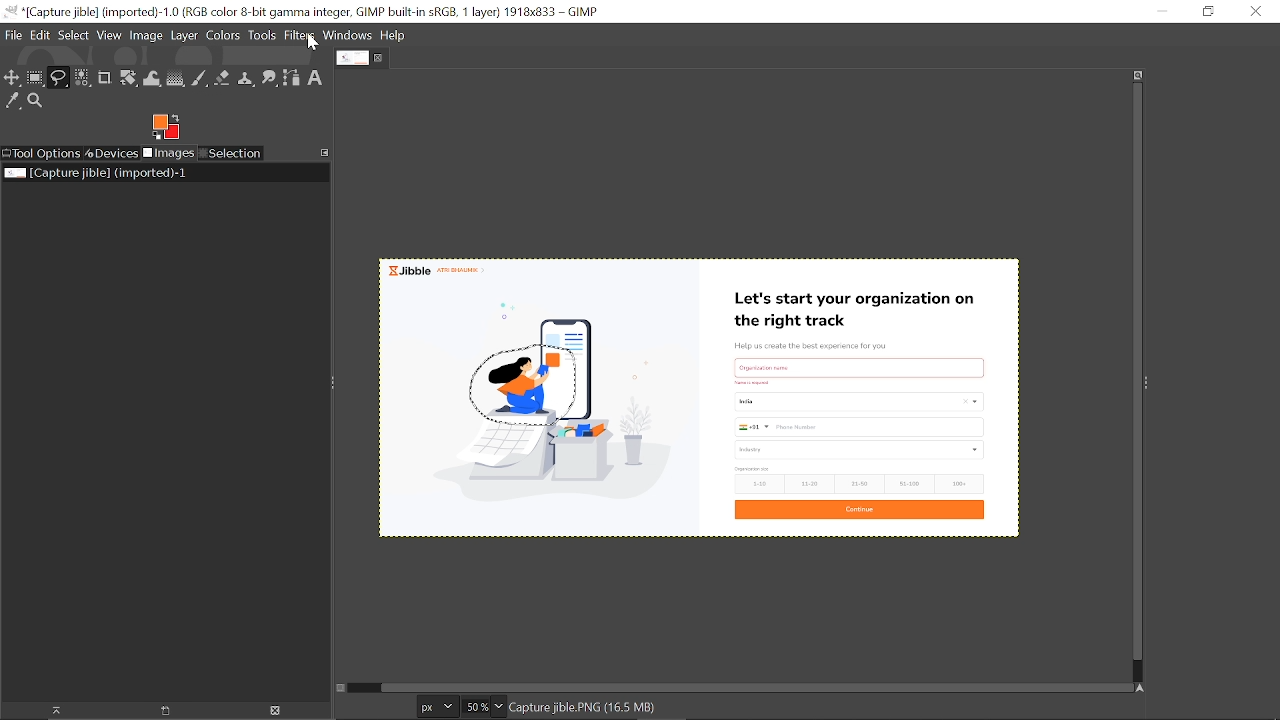  Describe the element at coordinates (98, 173) in the screenshot. I see `Current image` at that location.